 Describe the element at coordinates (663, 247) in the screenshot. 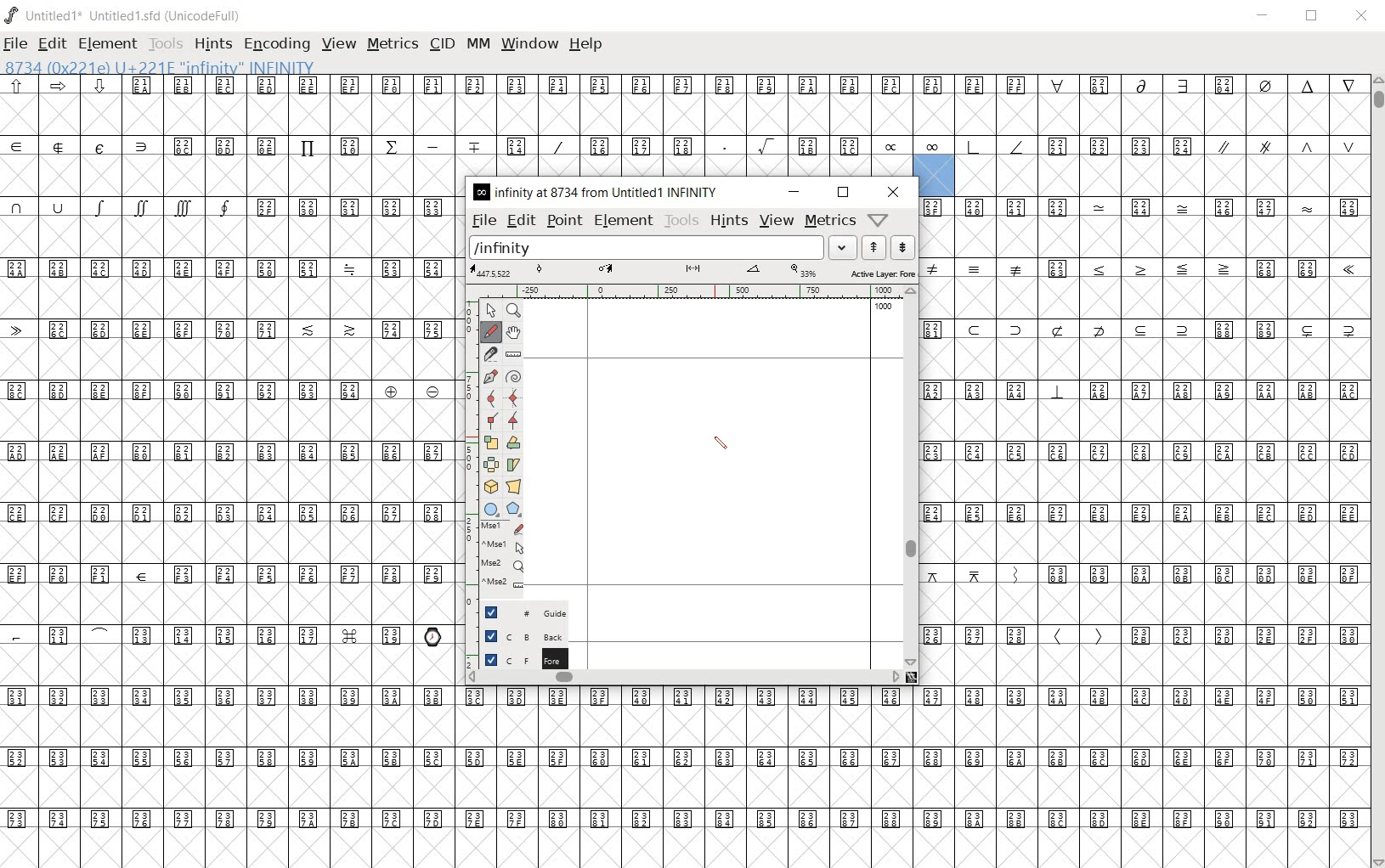

I see `load word list` at that location.